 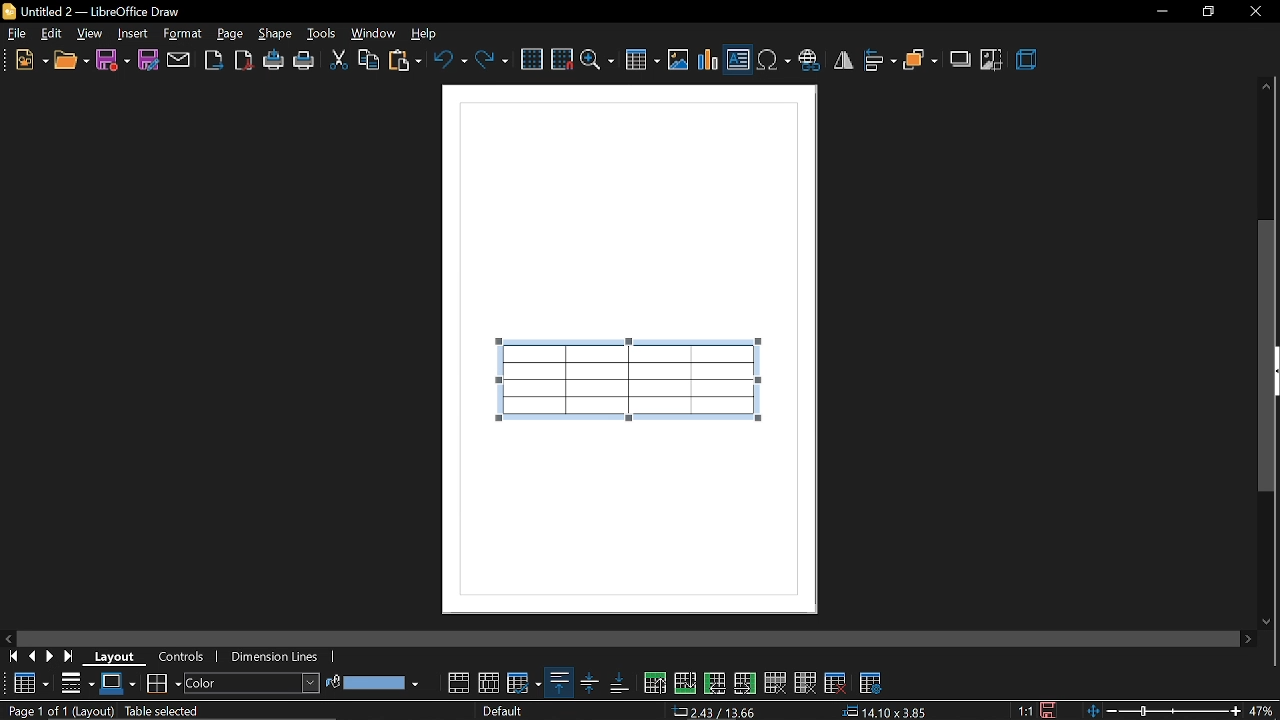 What do you see at coordinates (1027, 60) in the screenshot?
I see `3d effects` at bounding box center [1027, 60].